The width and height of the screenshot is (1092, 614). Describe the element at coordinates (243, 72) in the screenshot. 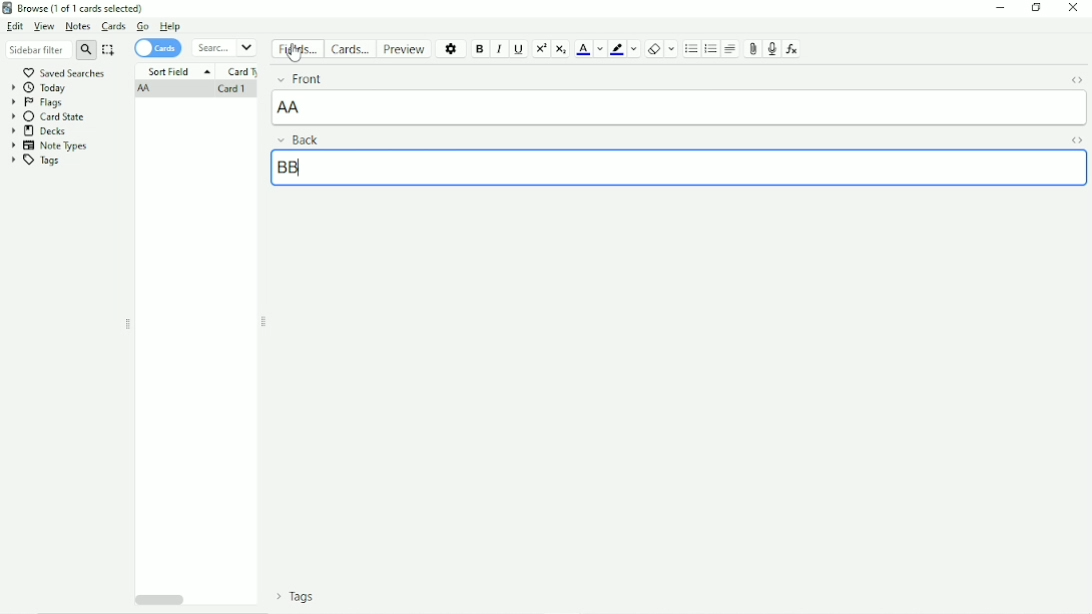

I see `Card Type` at that location.